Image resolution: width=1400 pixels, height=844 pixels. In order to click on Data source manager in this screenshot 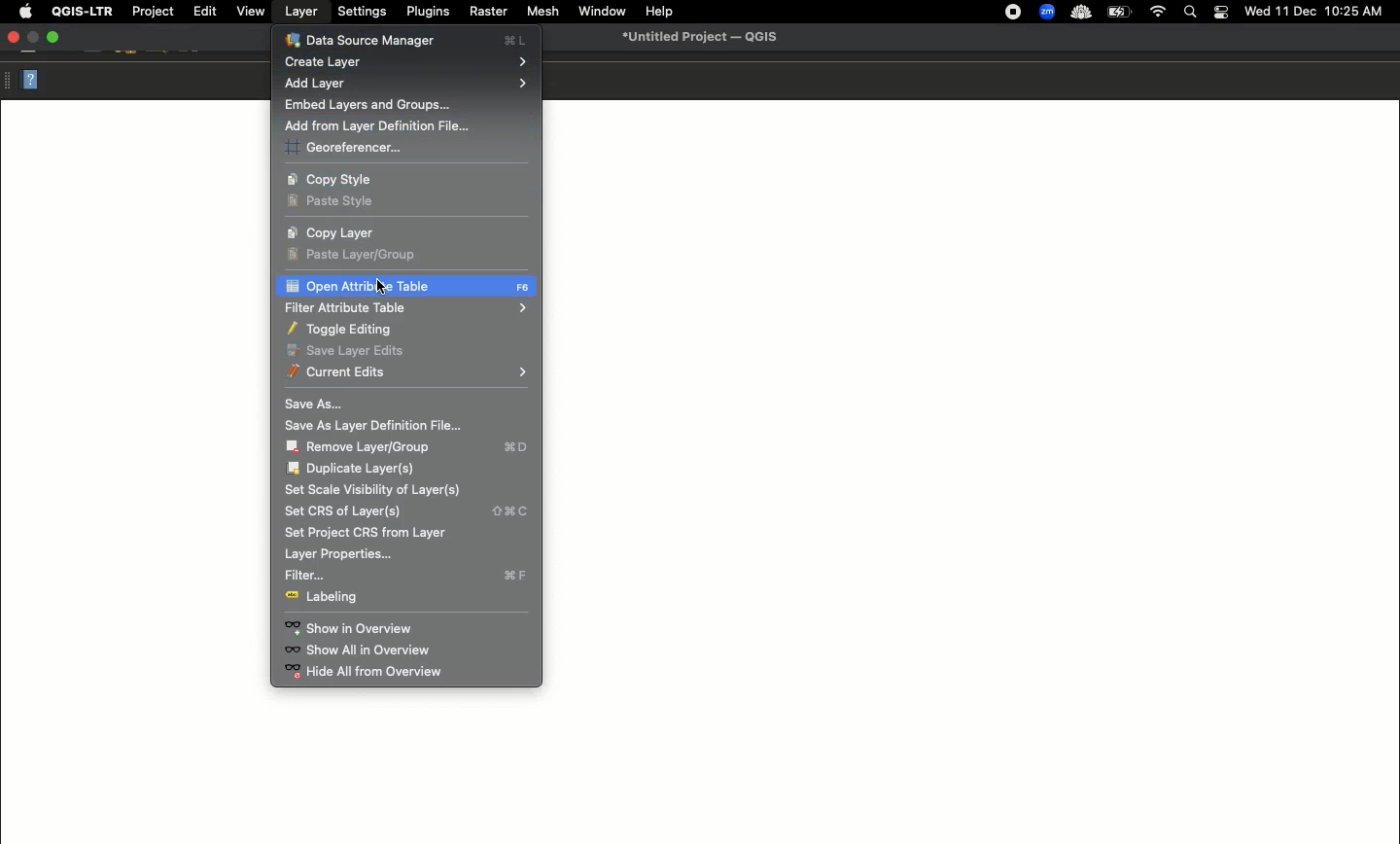, I will do `click(406, 39)`.